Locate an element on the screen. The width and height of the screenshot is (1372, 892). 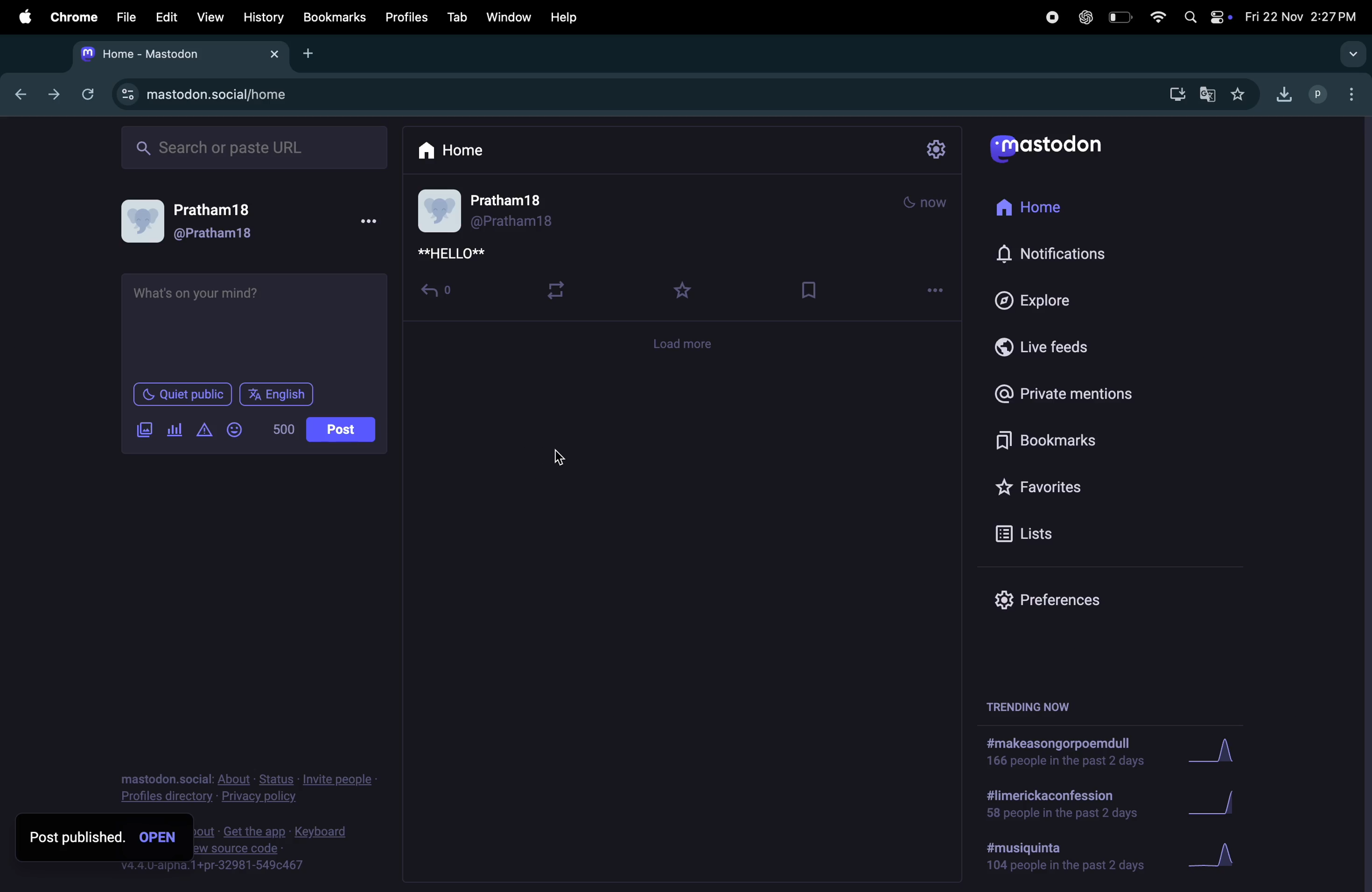
more options is located at coordinates (937, 291).